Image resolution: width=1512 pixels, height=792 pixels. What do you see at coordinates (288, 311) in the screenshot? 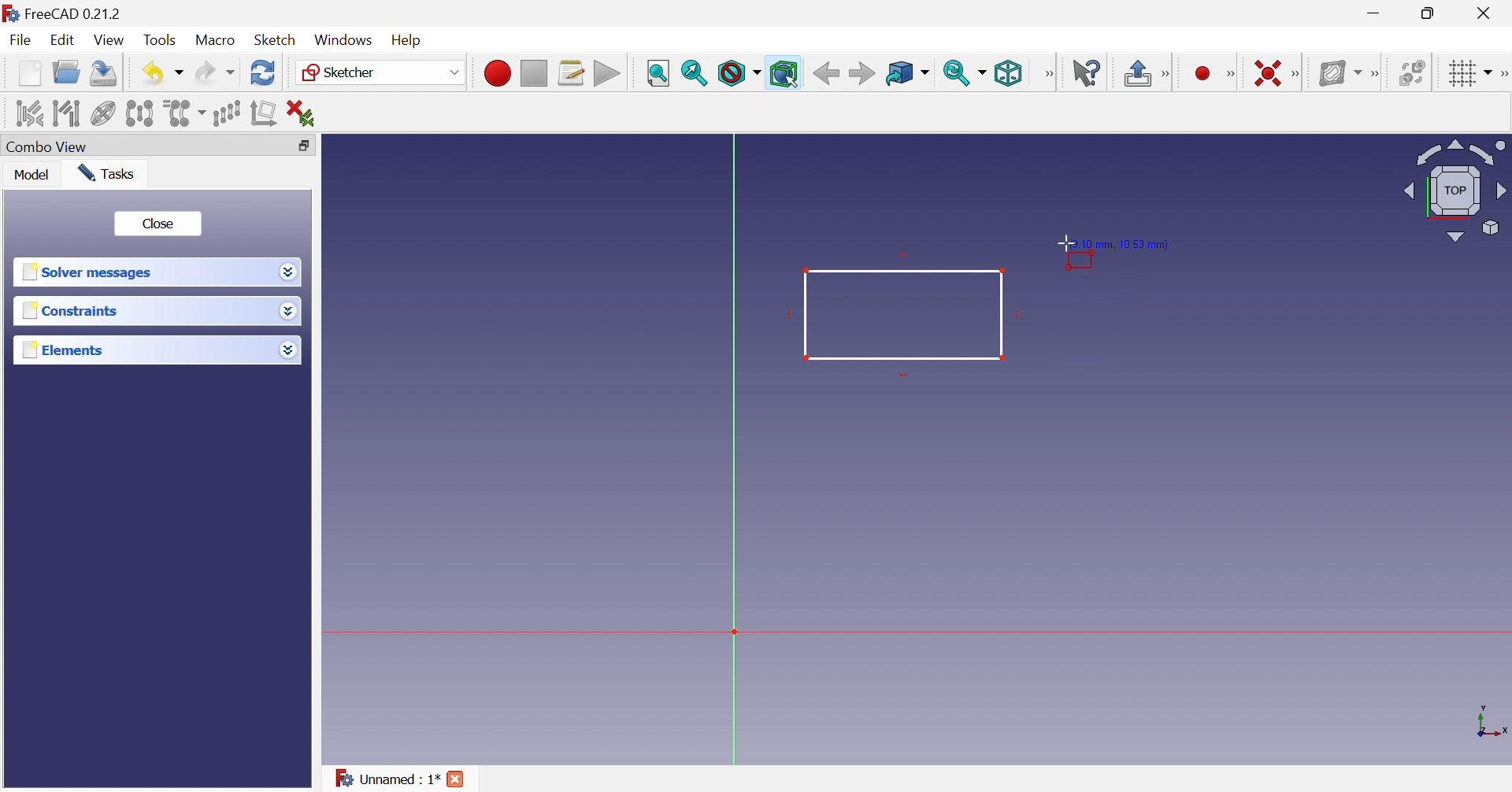
I see `Drop down` at bounding box center [288, 311].